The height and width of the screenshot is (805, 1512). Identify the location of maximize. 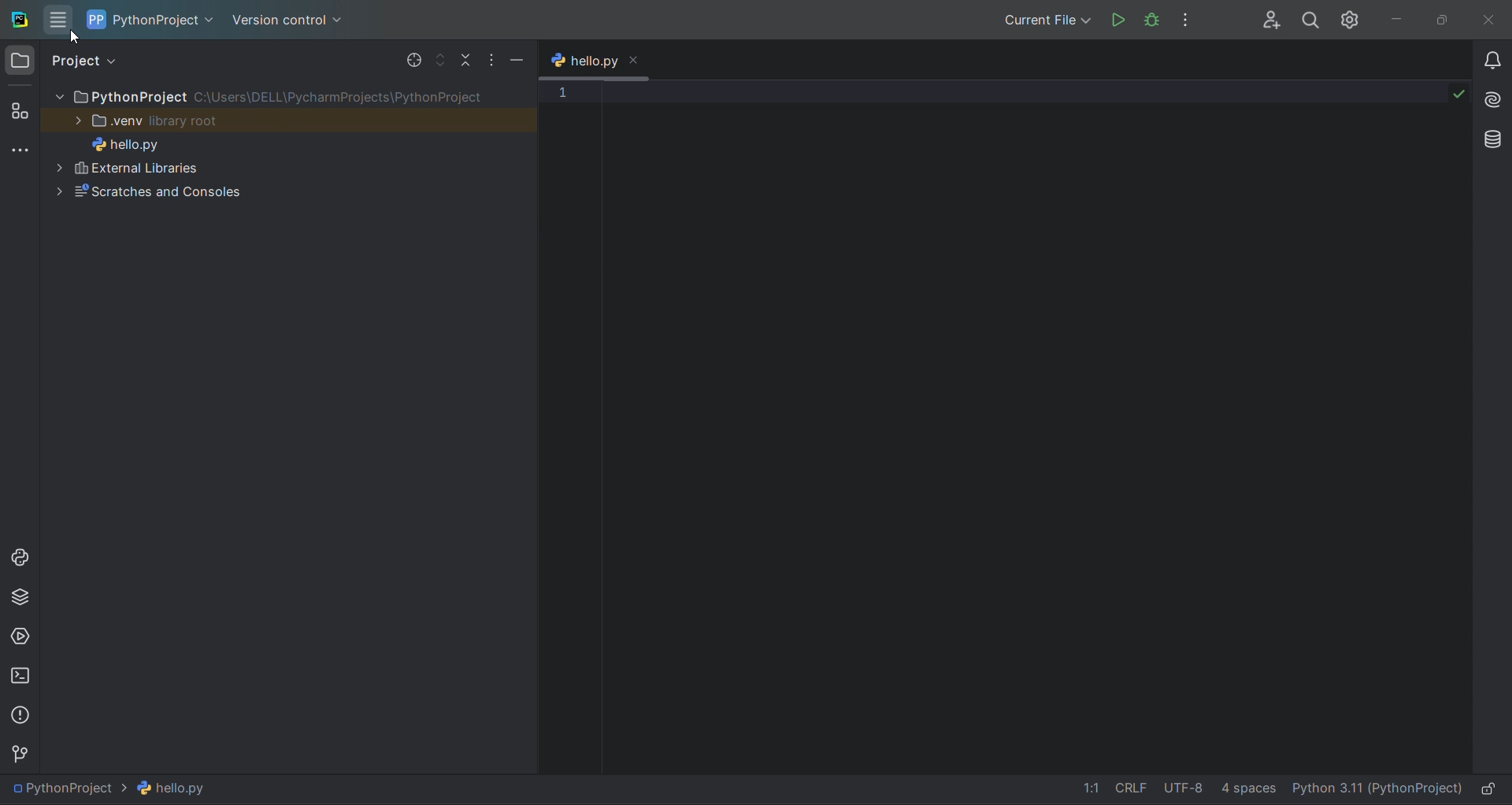
(1450, 18).